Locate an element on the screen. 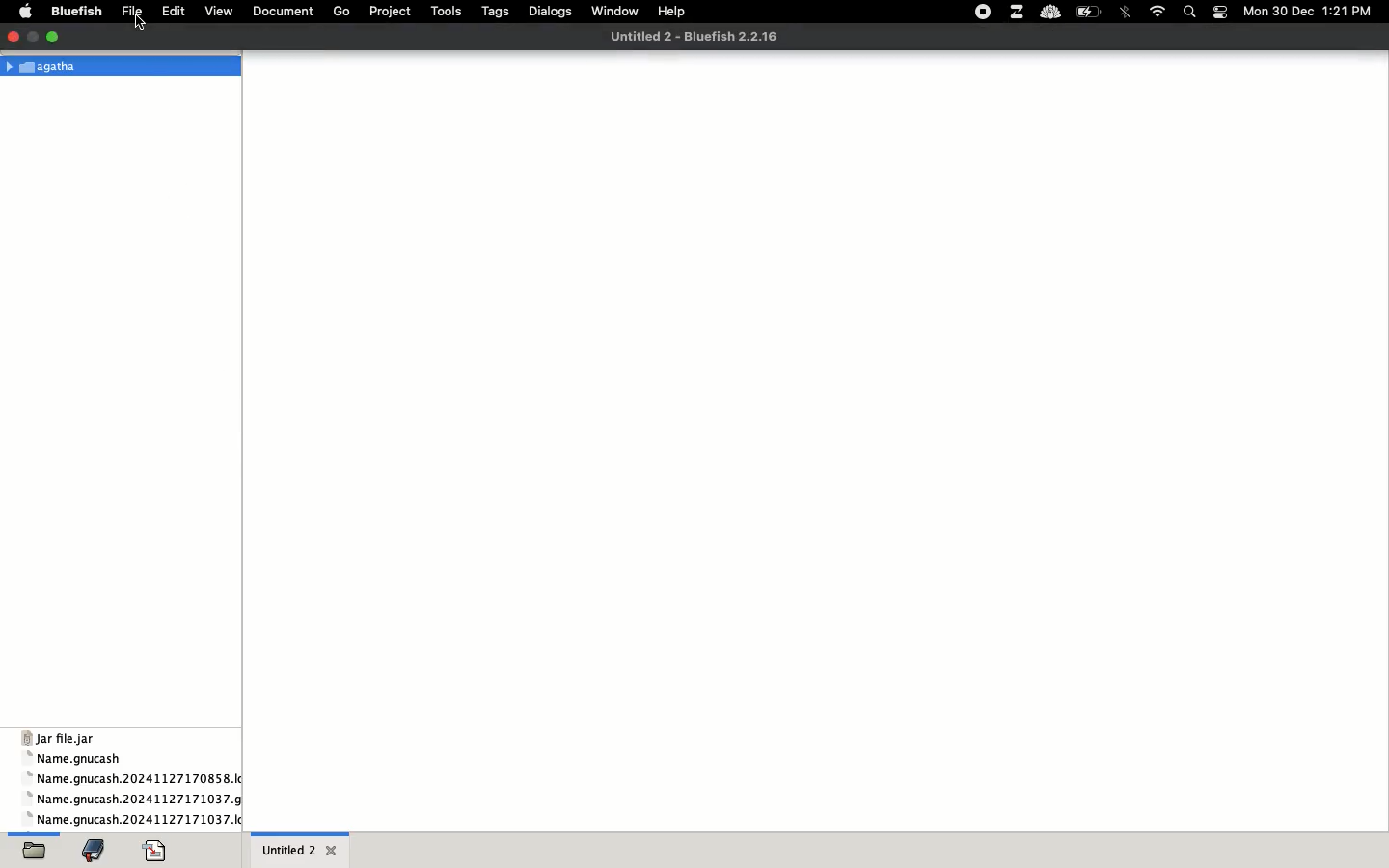 Image resolution: width=1389 pixels, height=868 pixels. jar file jar is located at coordinates (59, 736).